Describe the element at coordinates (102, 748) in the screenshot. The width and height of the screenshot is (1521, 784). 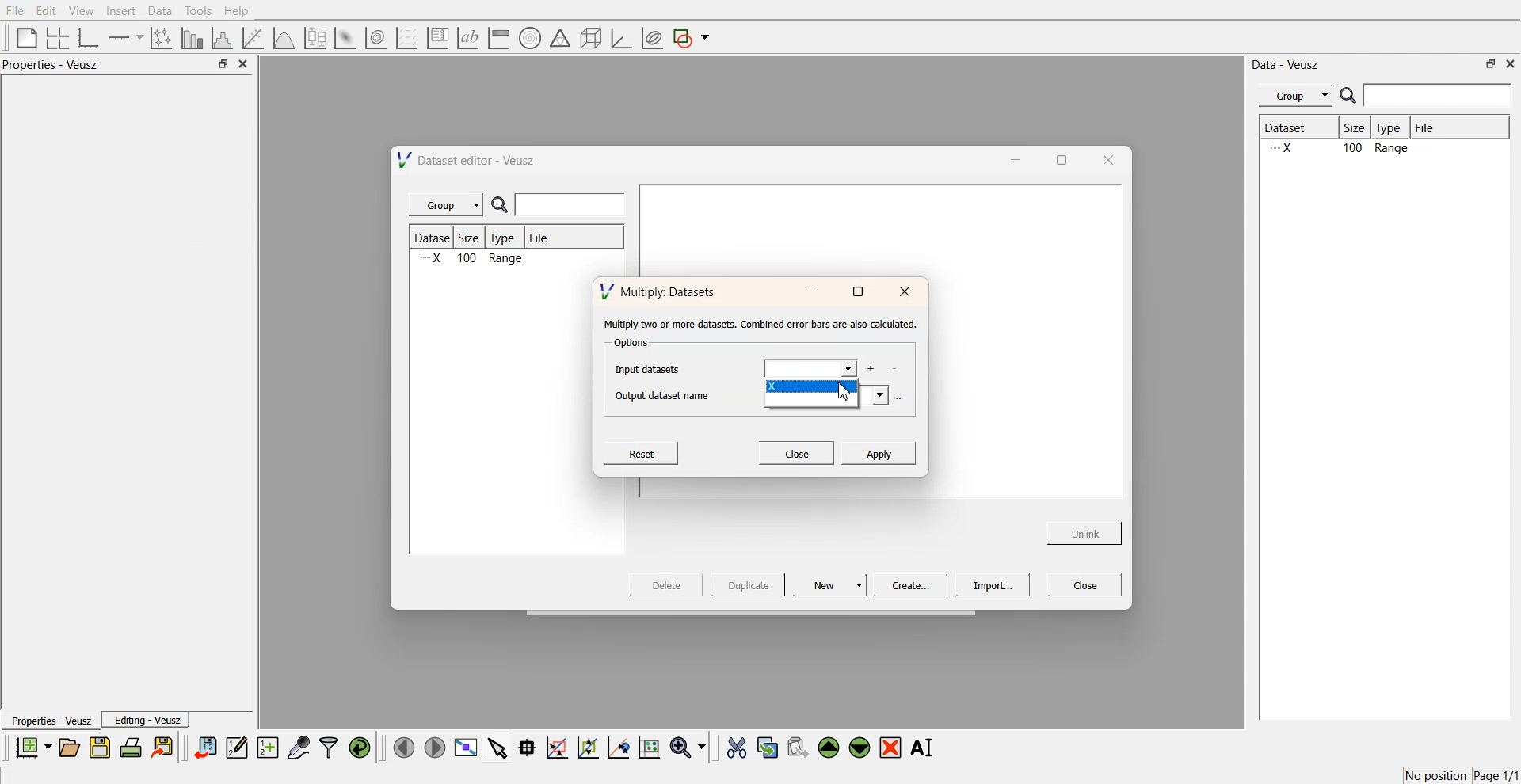
I see `save` at that location.